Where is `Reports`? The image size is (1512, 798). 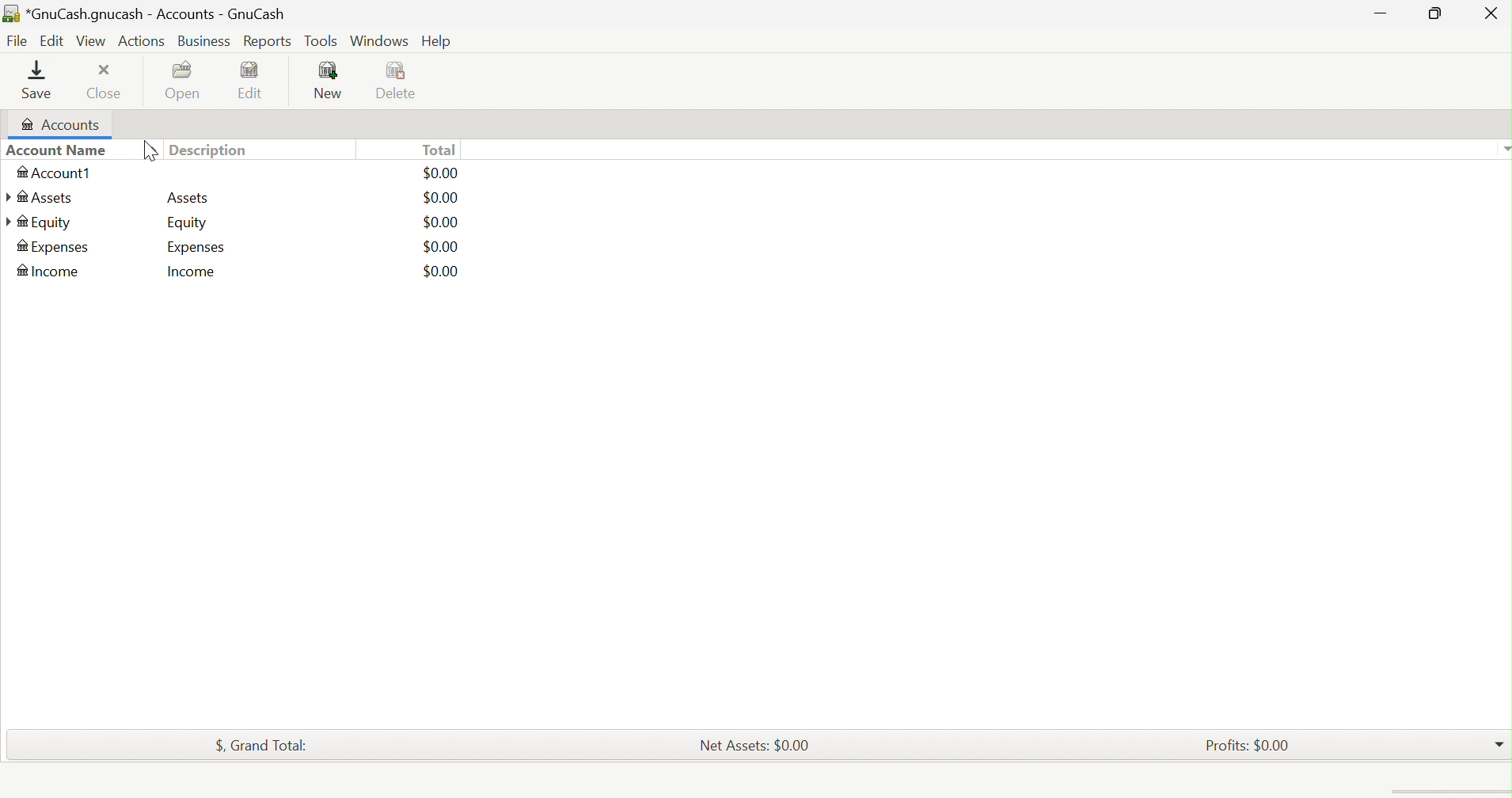
Reports is located at coordinates (266, 42).